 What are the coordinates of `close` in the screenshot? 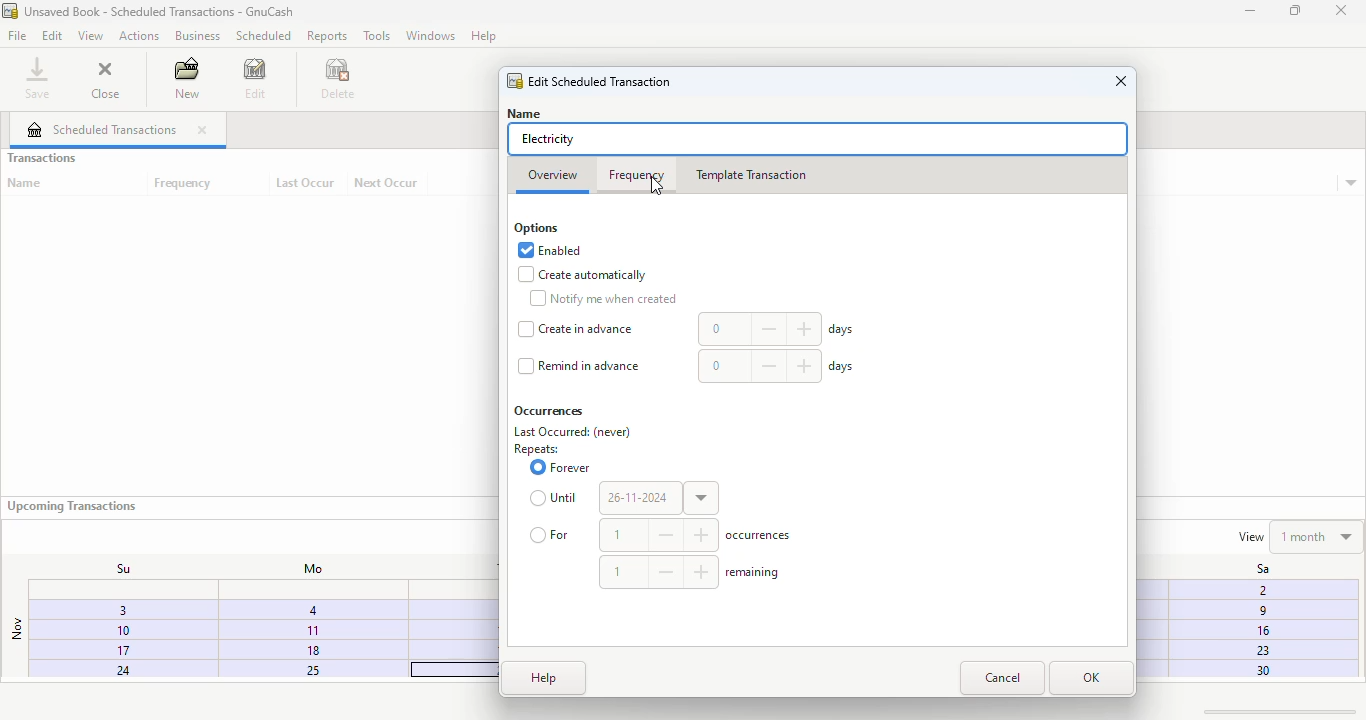 It's located at (105, 77).